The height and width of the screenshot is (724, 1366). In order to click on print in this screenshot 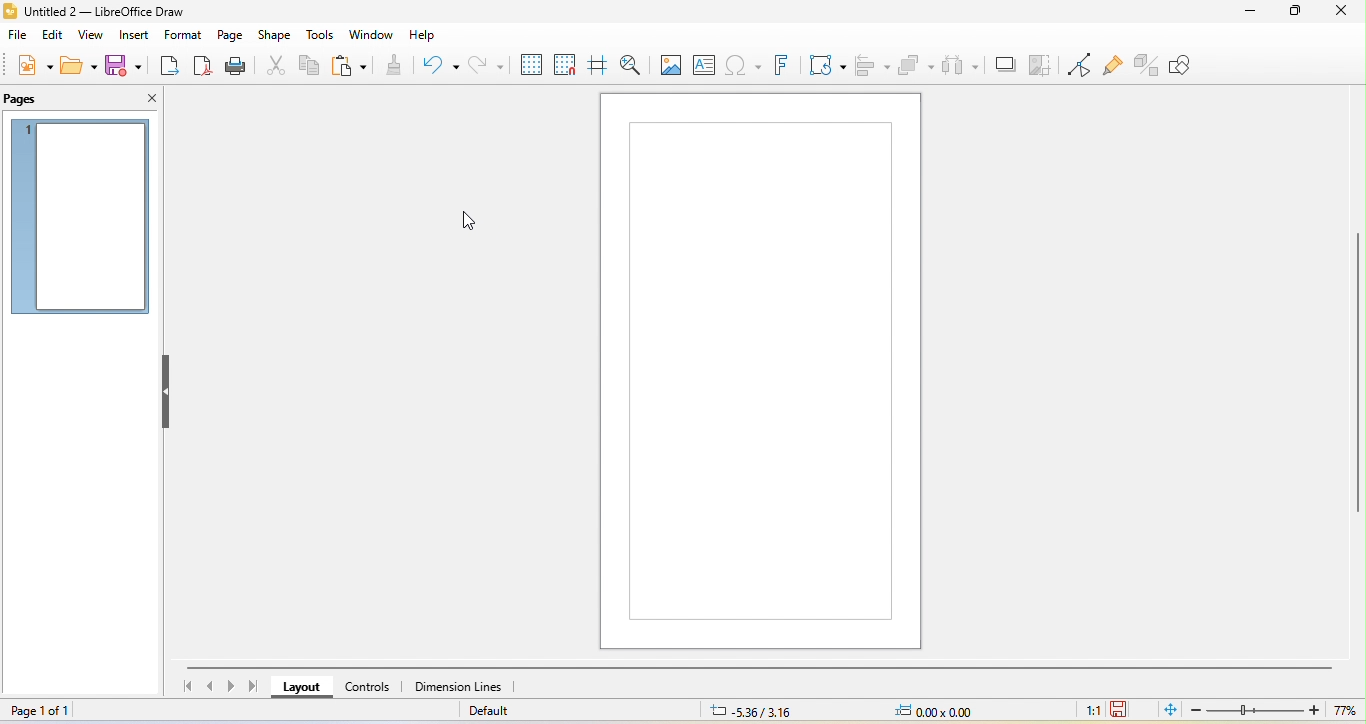, I will do `click(234, 66)`.